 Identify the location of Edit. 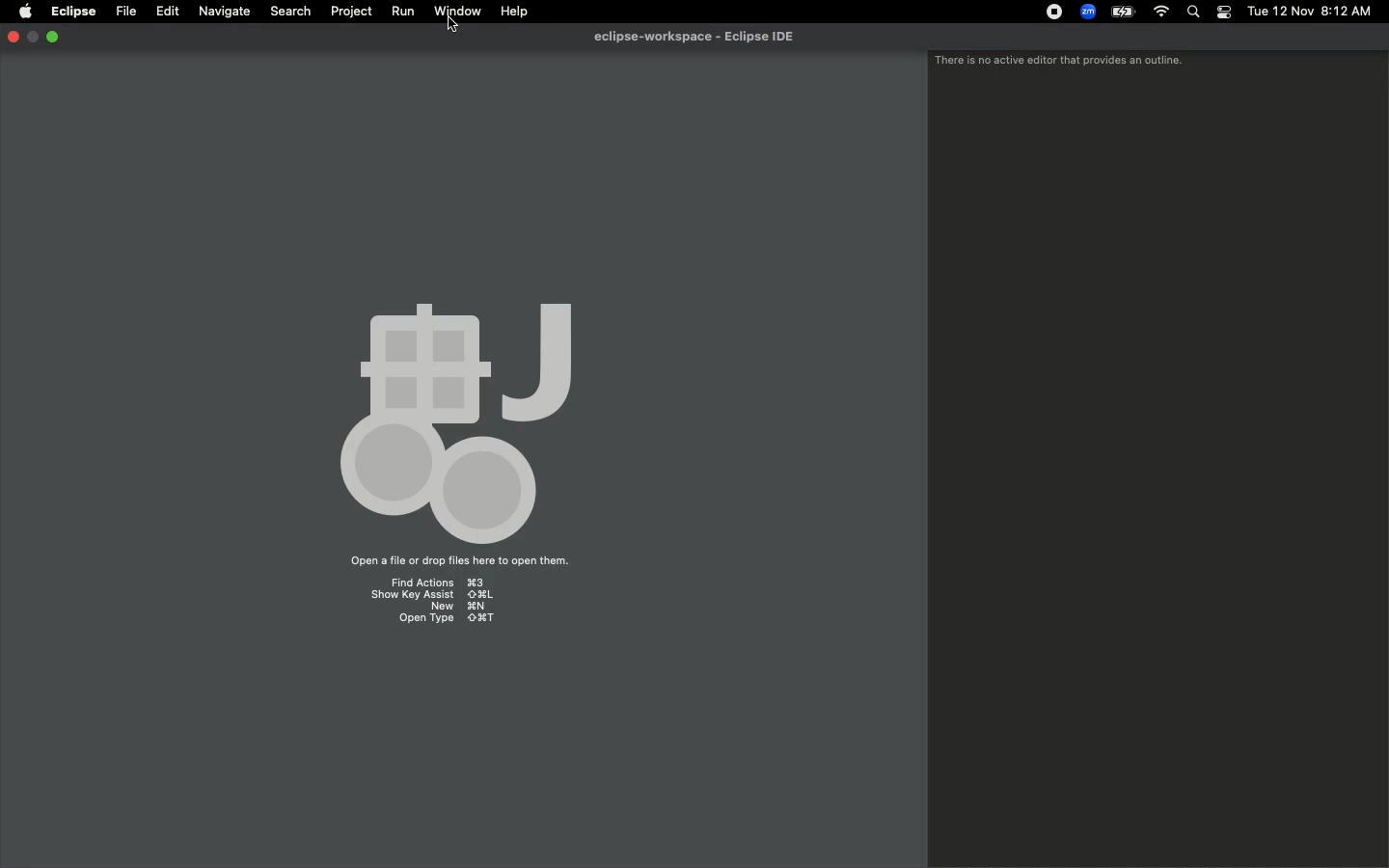
(165, 10).